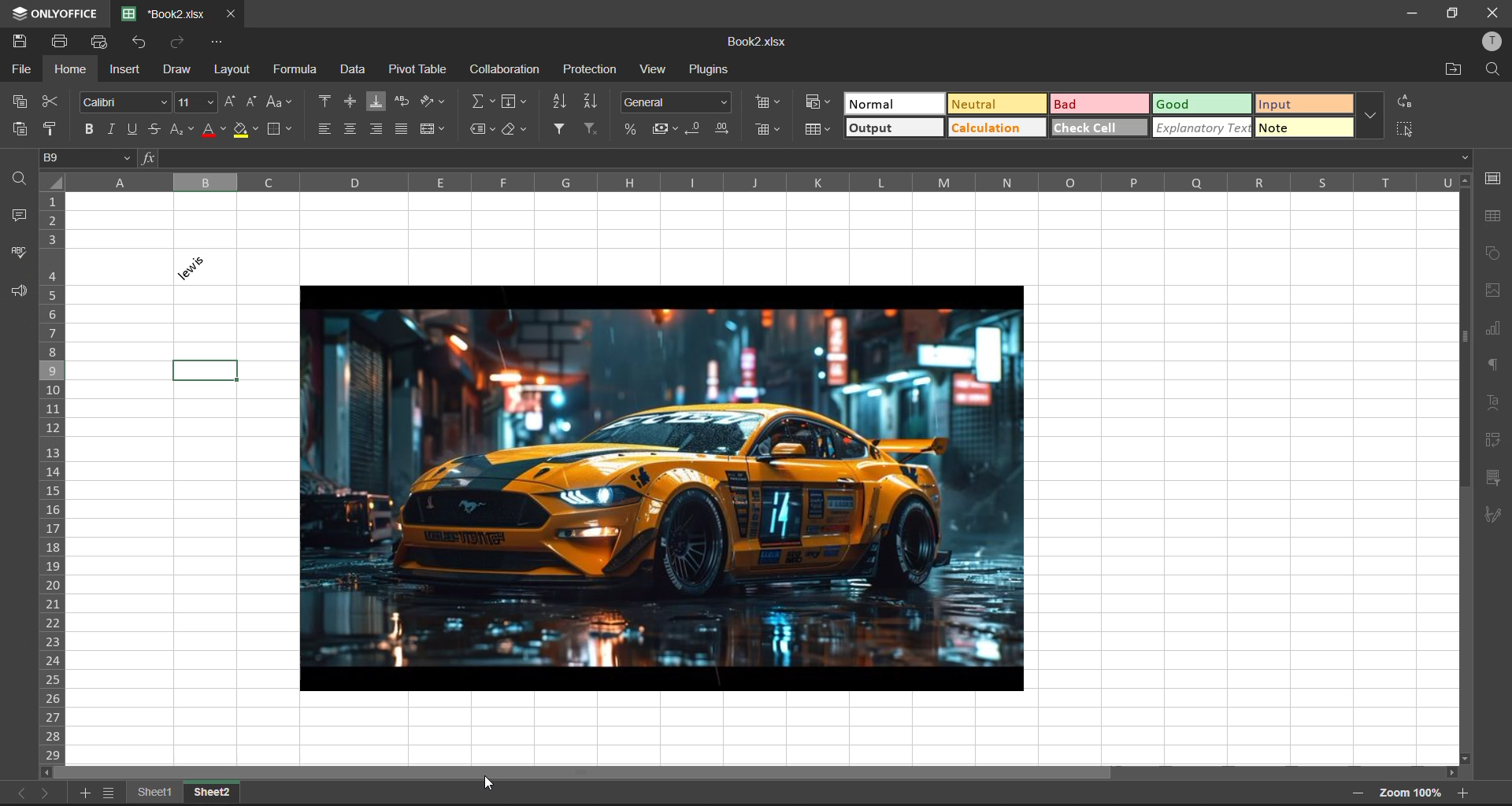 This screenshot has width=1512, height=806. Describe the element at coordinates (589, 72) in the screenshot. I see `protection` at that location.